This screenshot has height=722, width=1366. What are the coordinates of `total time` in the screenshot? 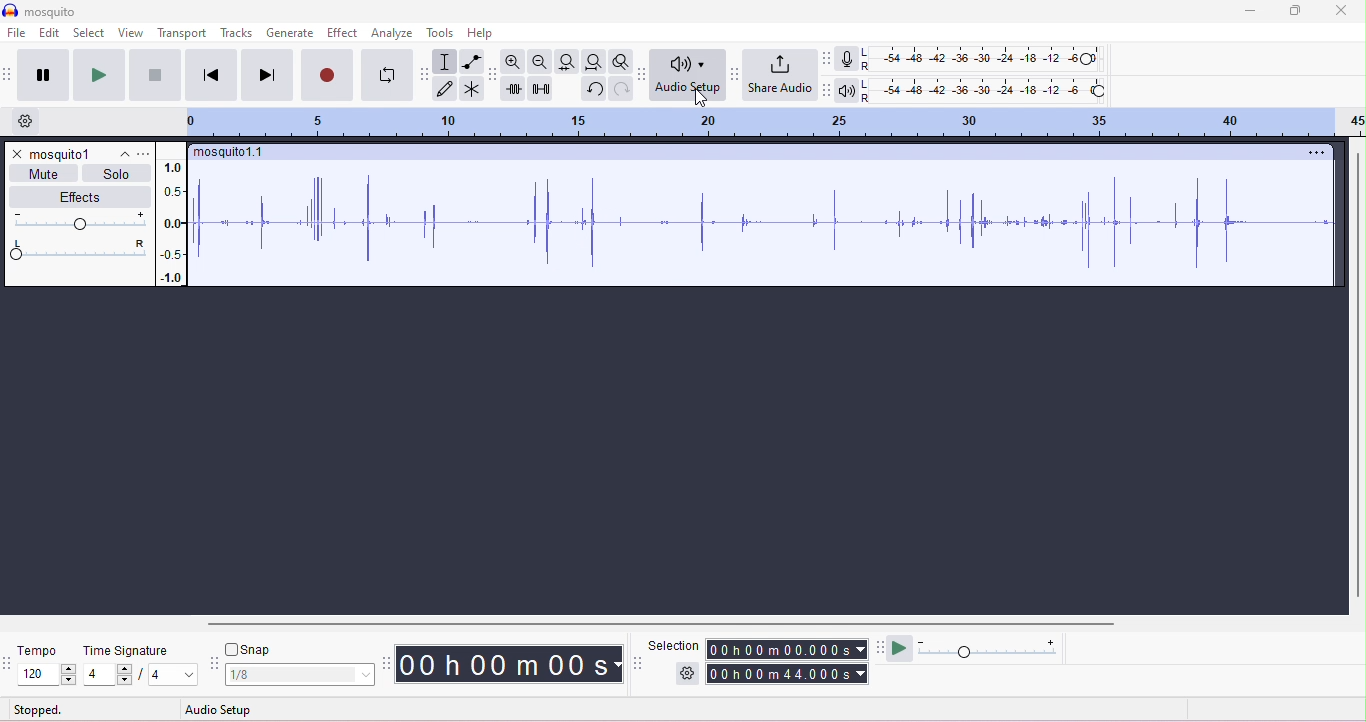 It's located at (787, 674).